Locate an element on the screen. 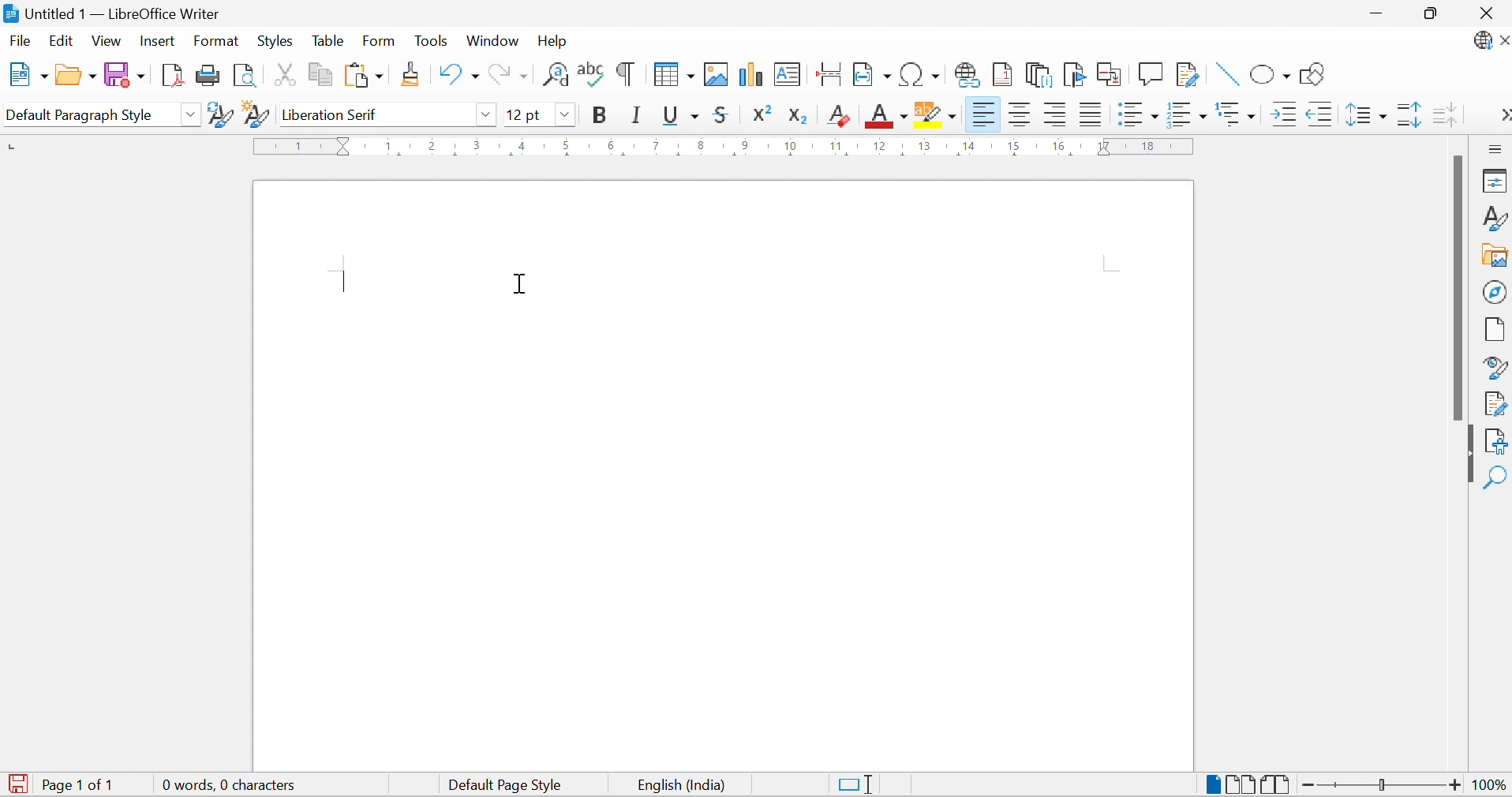 The height and width of the screenshot is (797, 1512). More is located at coordinates (1501, 113).